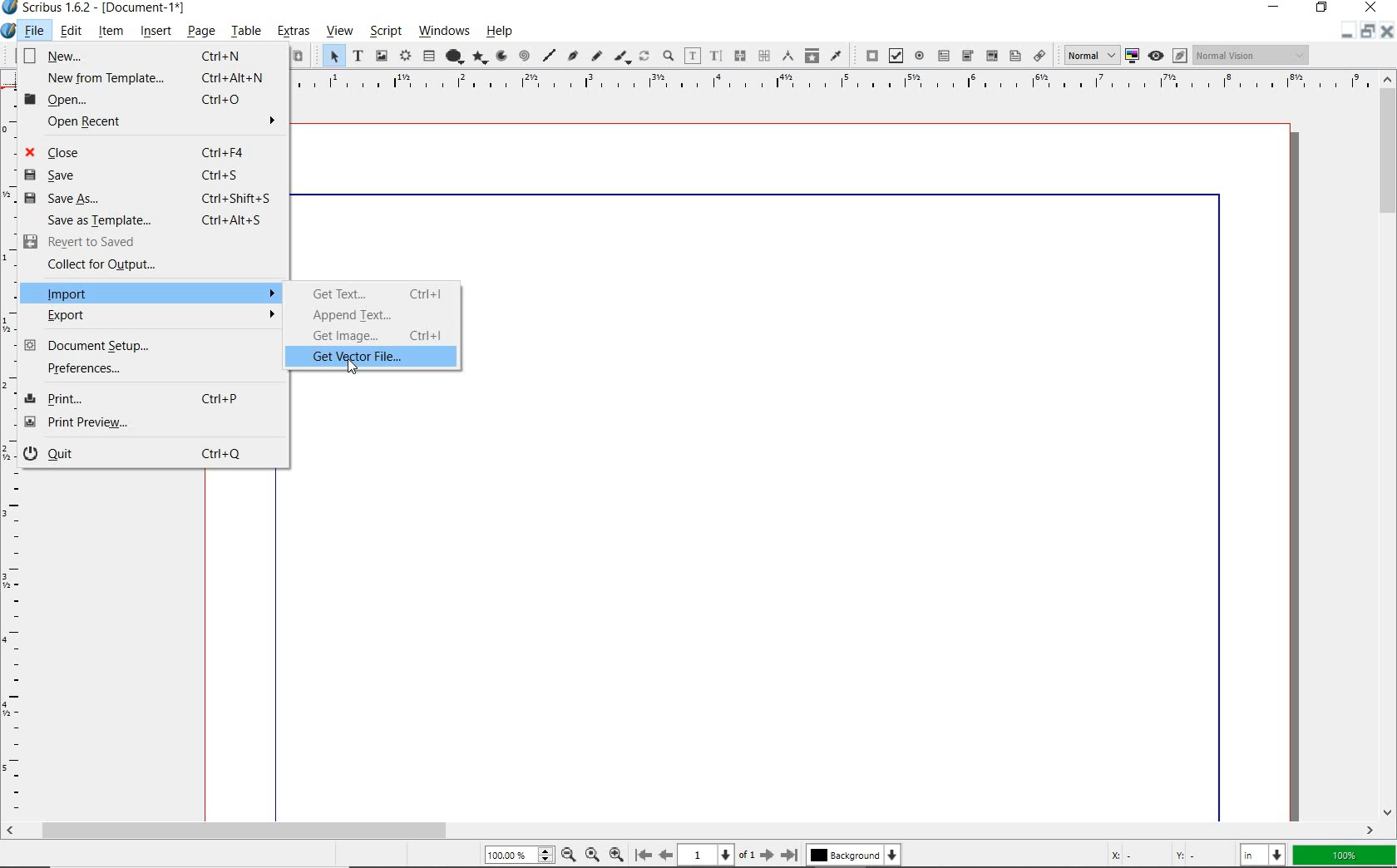 The width and height of the screenshot is (1397, 868). I want to click on Next Page, so click(768, 856).